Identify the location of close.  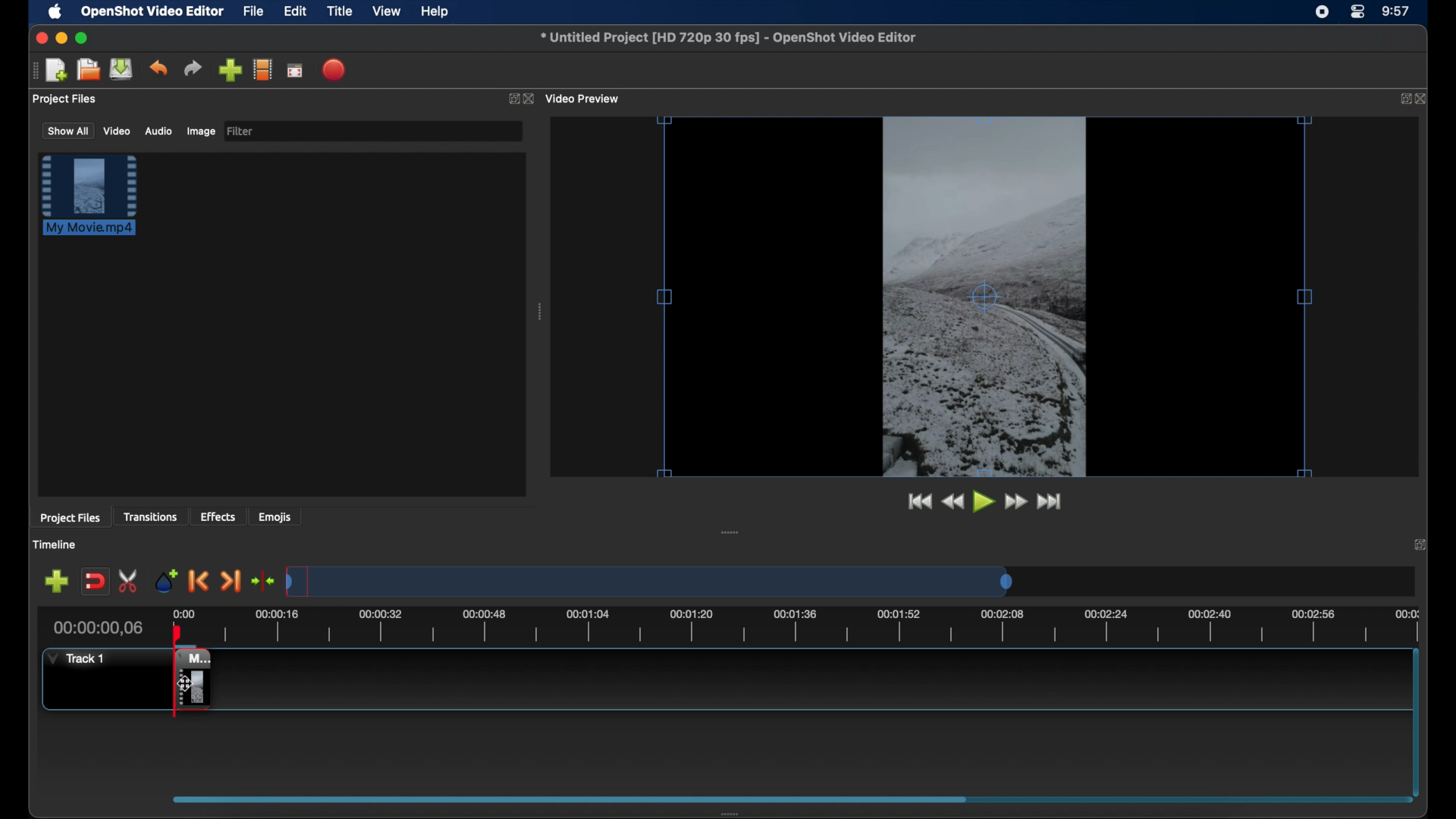
(1423, 99).